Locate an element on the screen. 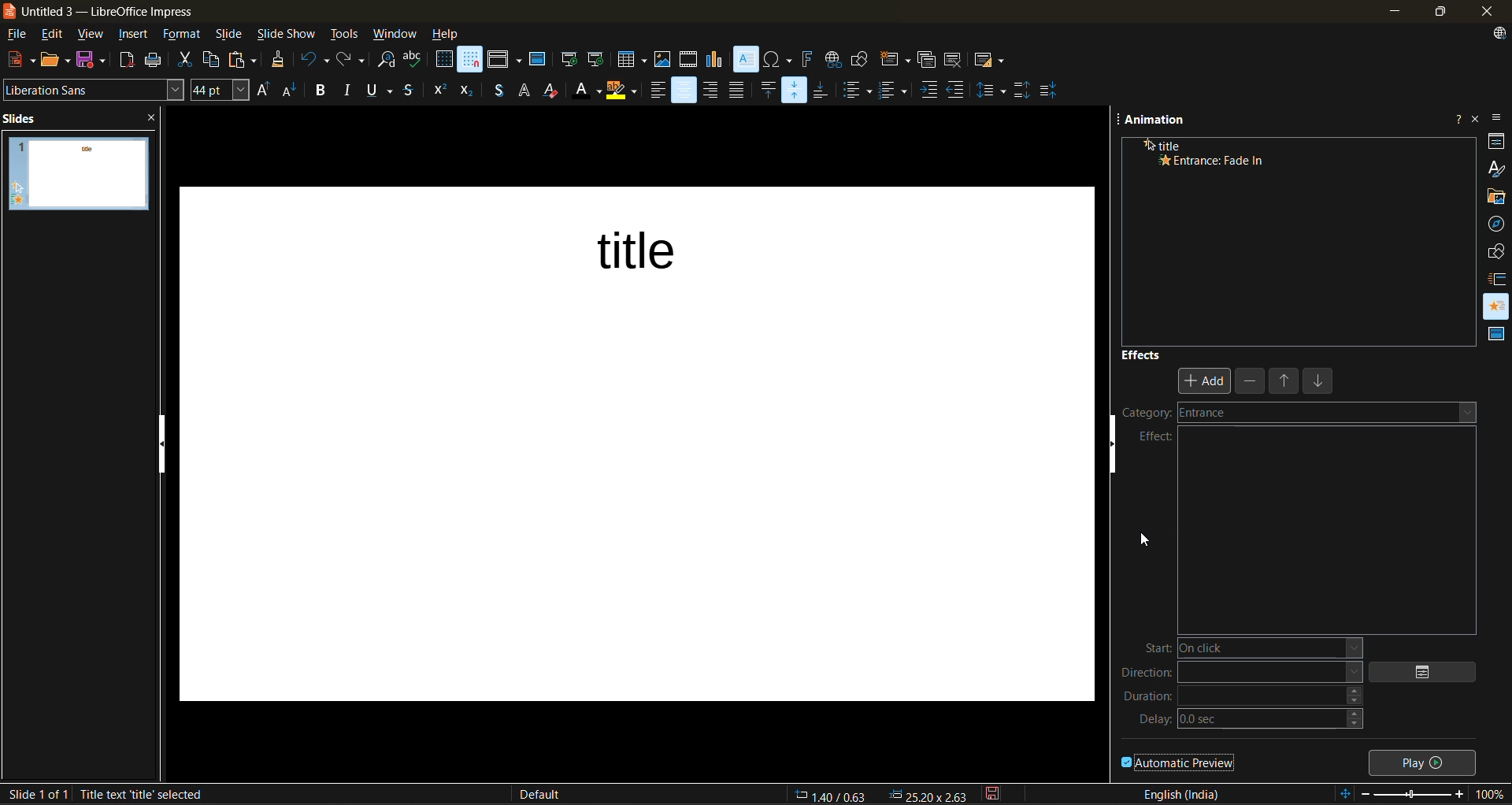 This screenshot has height=805, width=1512. snap to grid is located at coordinates (471, 59).